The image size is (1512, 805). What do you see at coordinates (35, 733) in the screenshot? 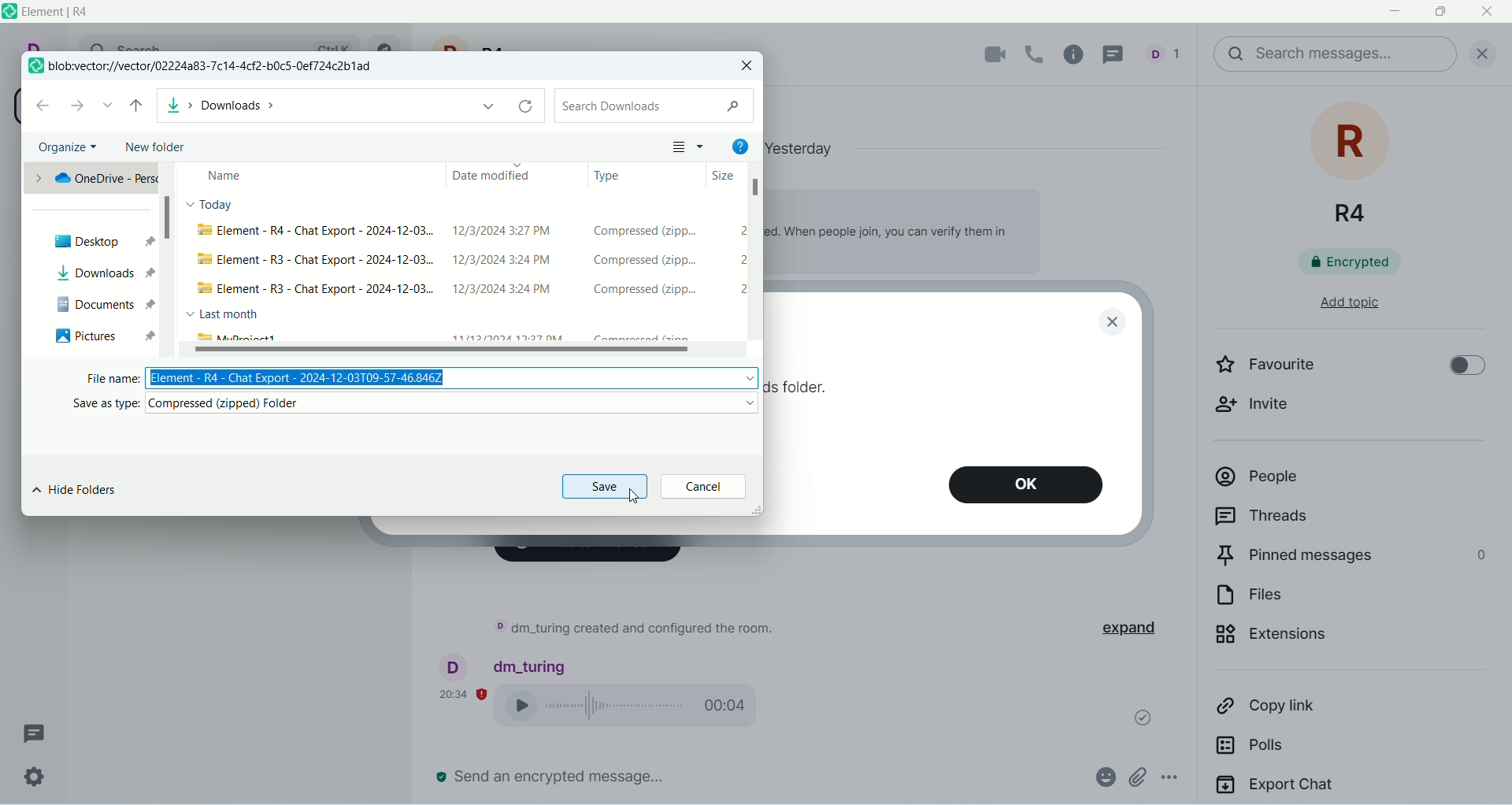
I see `threads` at bounding box center [35, 733].